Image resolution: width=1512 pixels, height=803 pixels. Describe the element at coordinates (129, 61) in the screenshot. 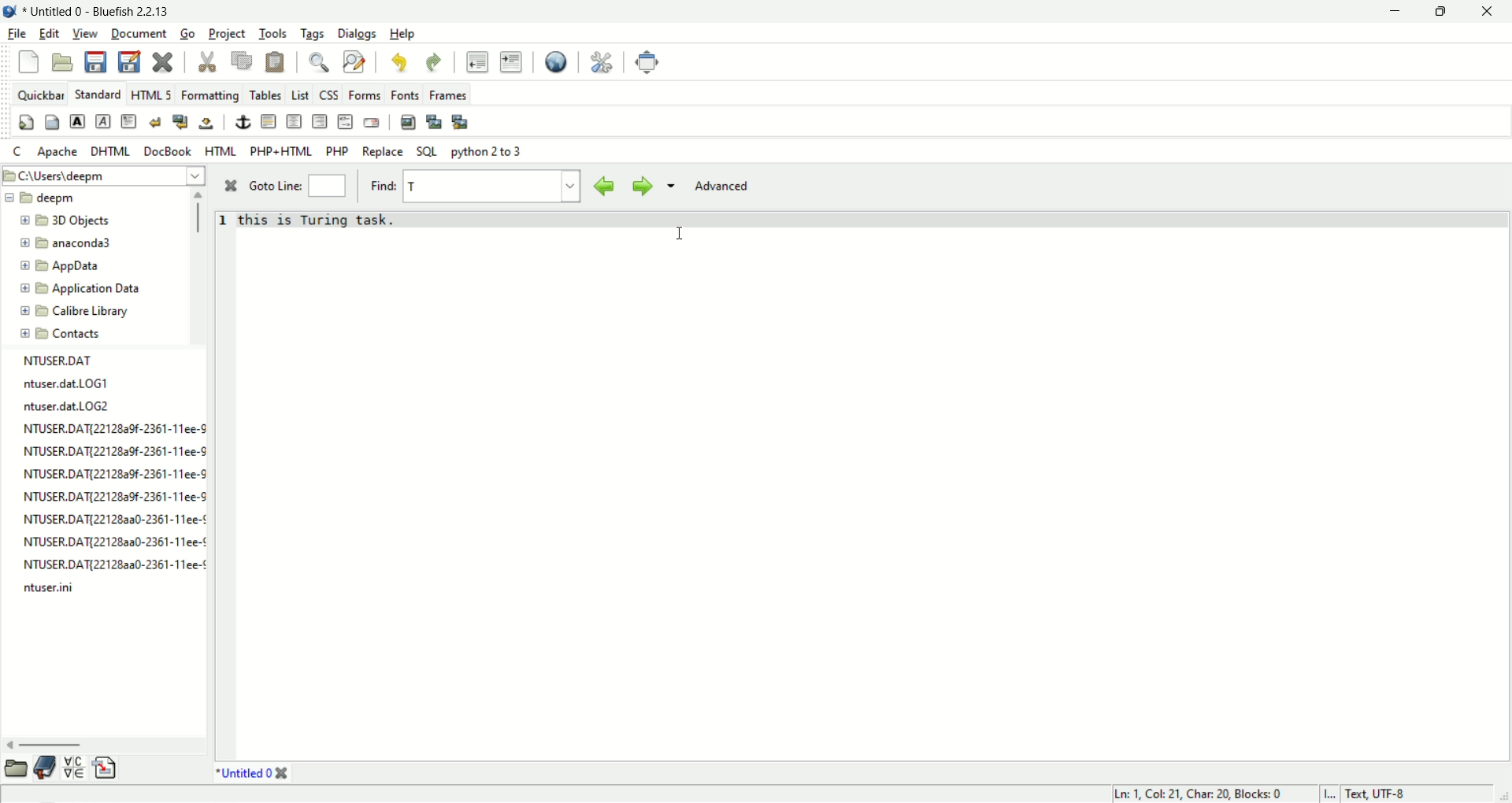

I see `save as` at that location.